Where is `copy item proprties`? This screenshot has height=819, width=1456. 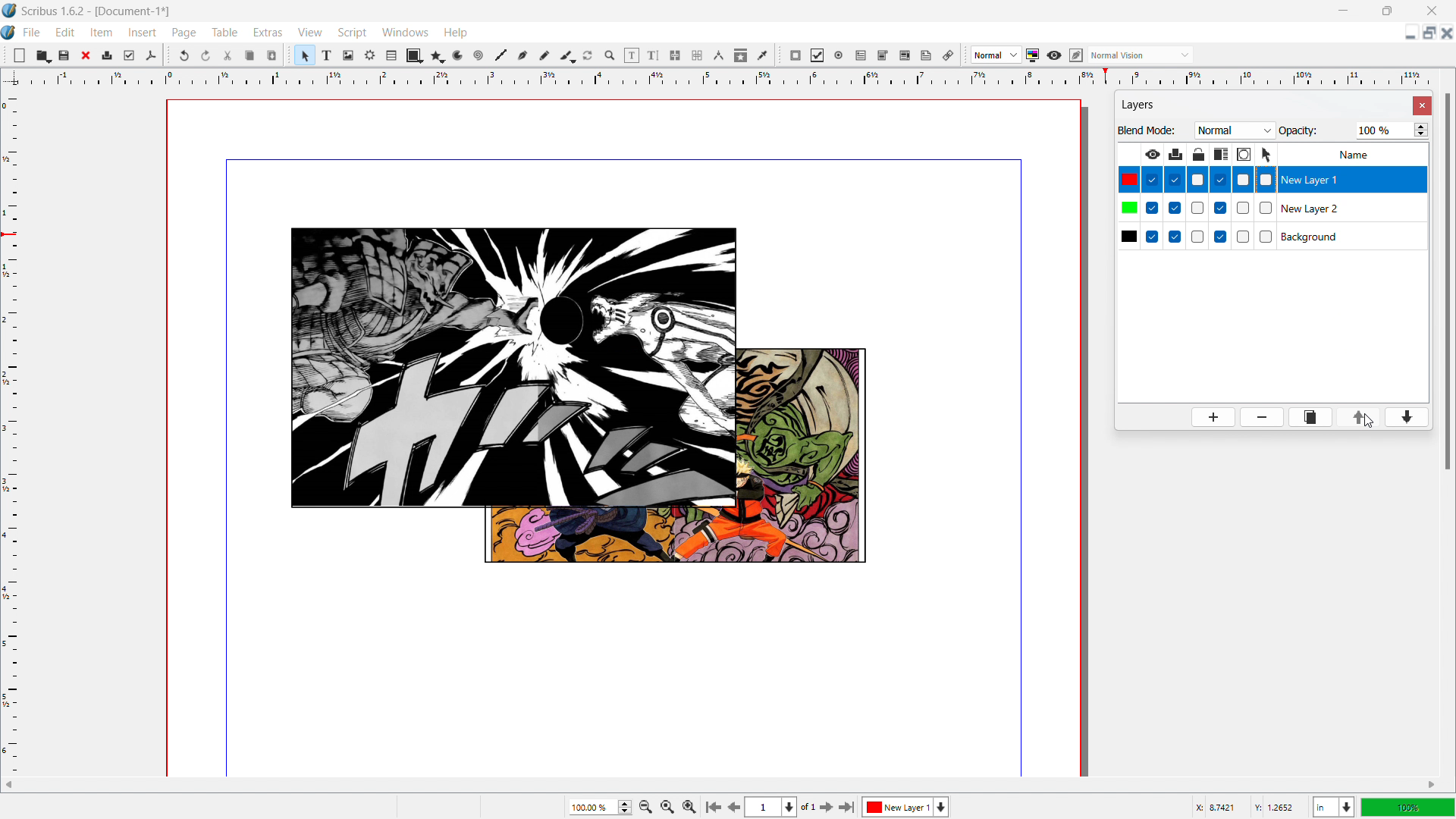
copy item proprties is located at coordinates (741, 55).